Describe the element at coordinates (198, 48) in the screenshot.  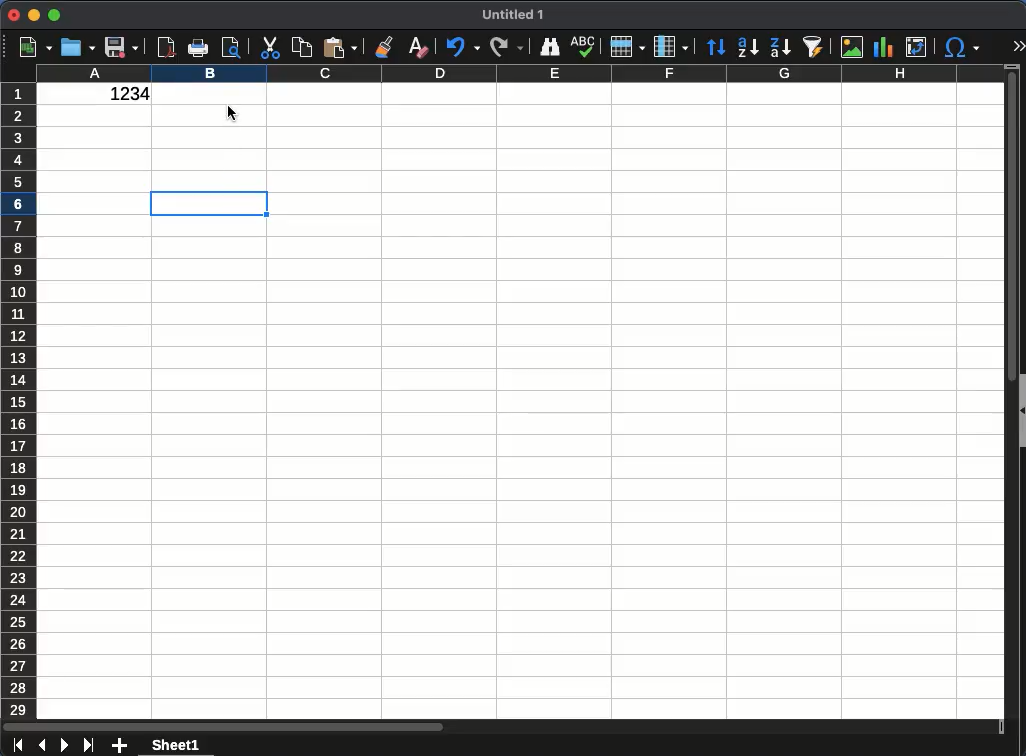
I see `print` at that location.